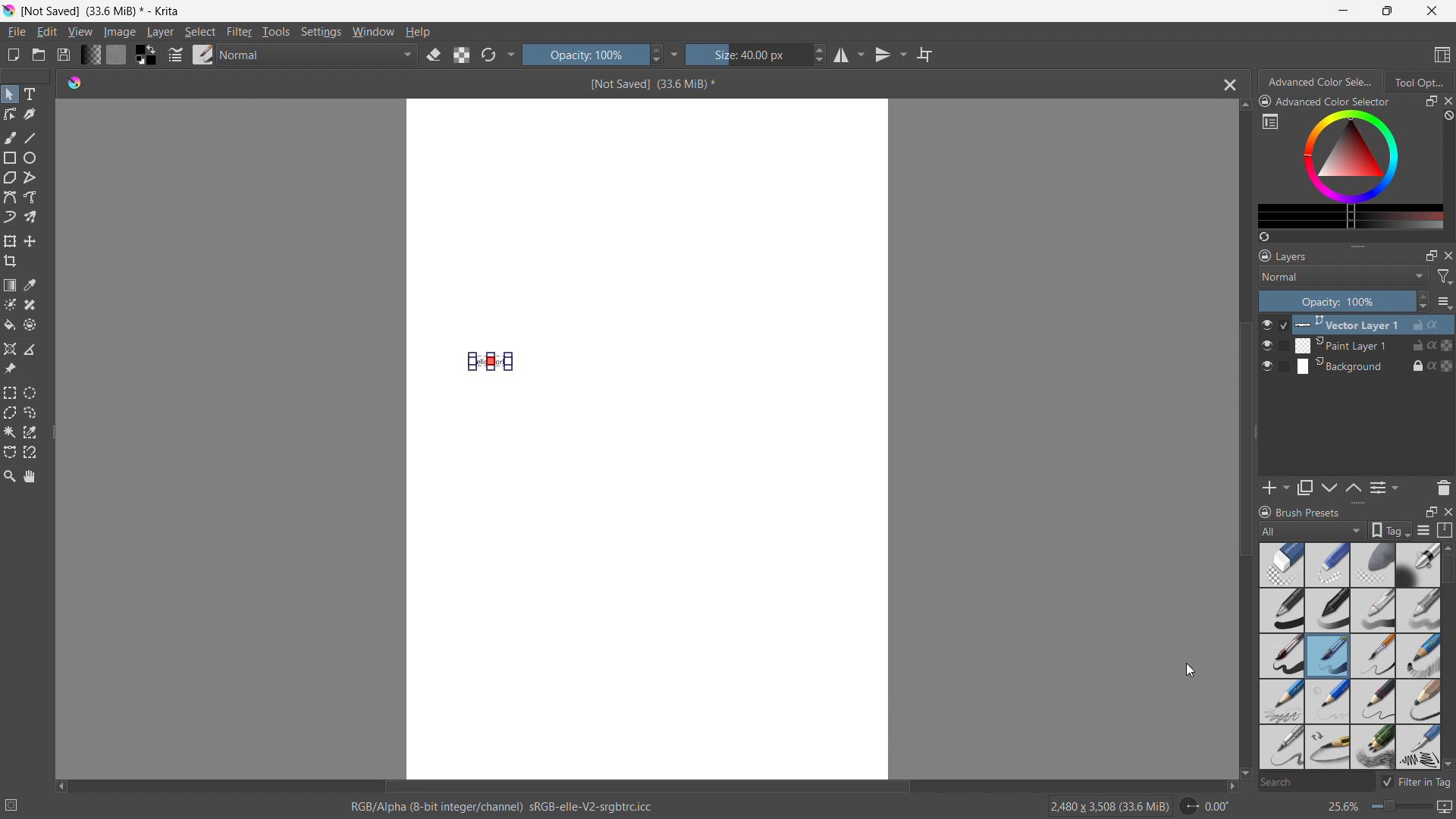  What do you see at coordinates (1328, 656) in the screenshot?
I see `Brush` at bounding box center [1328, 656].